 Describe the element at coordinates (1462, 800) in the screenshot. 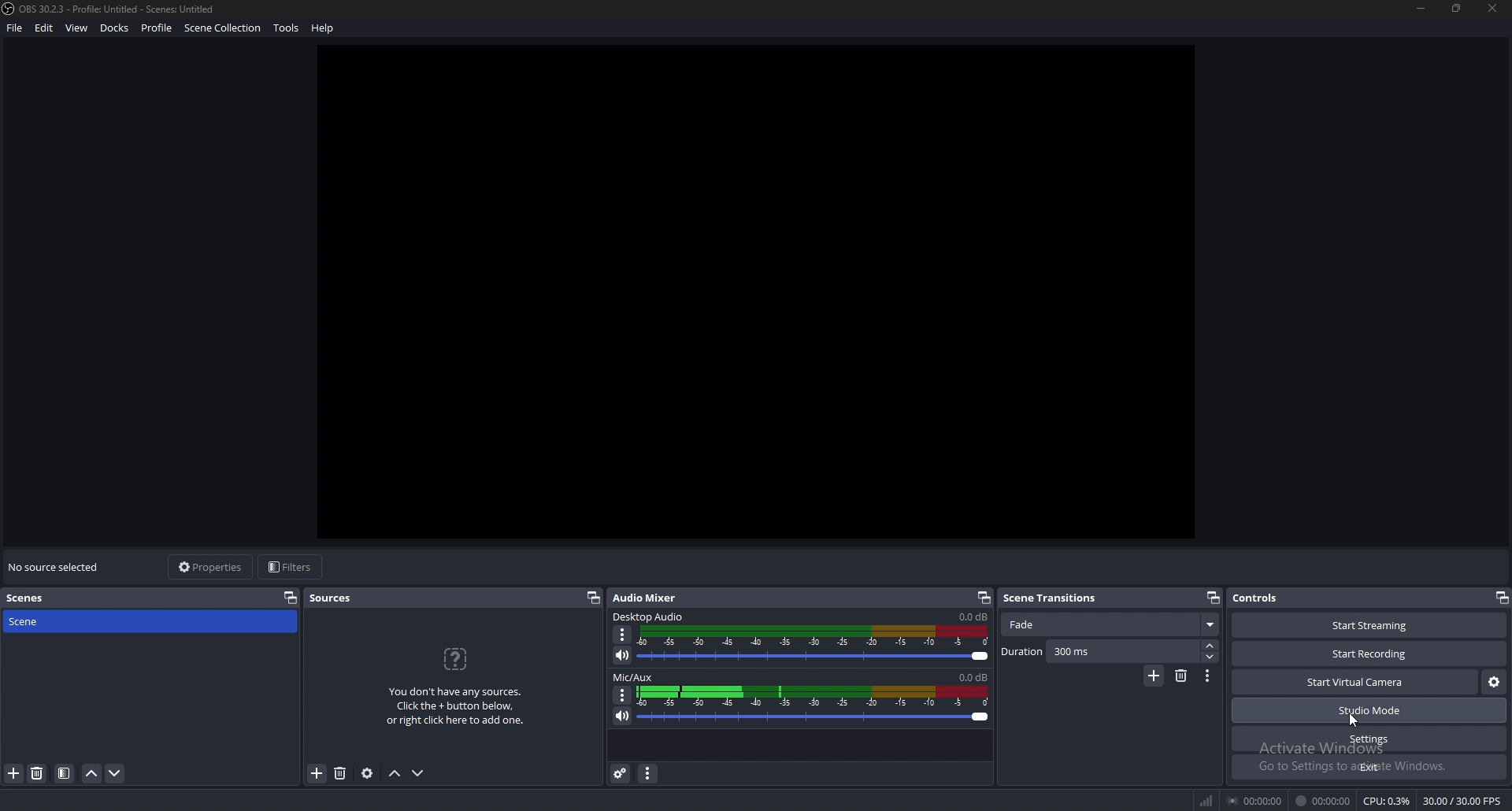

I see `30.00 / 30.00 FPS` at that location.